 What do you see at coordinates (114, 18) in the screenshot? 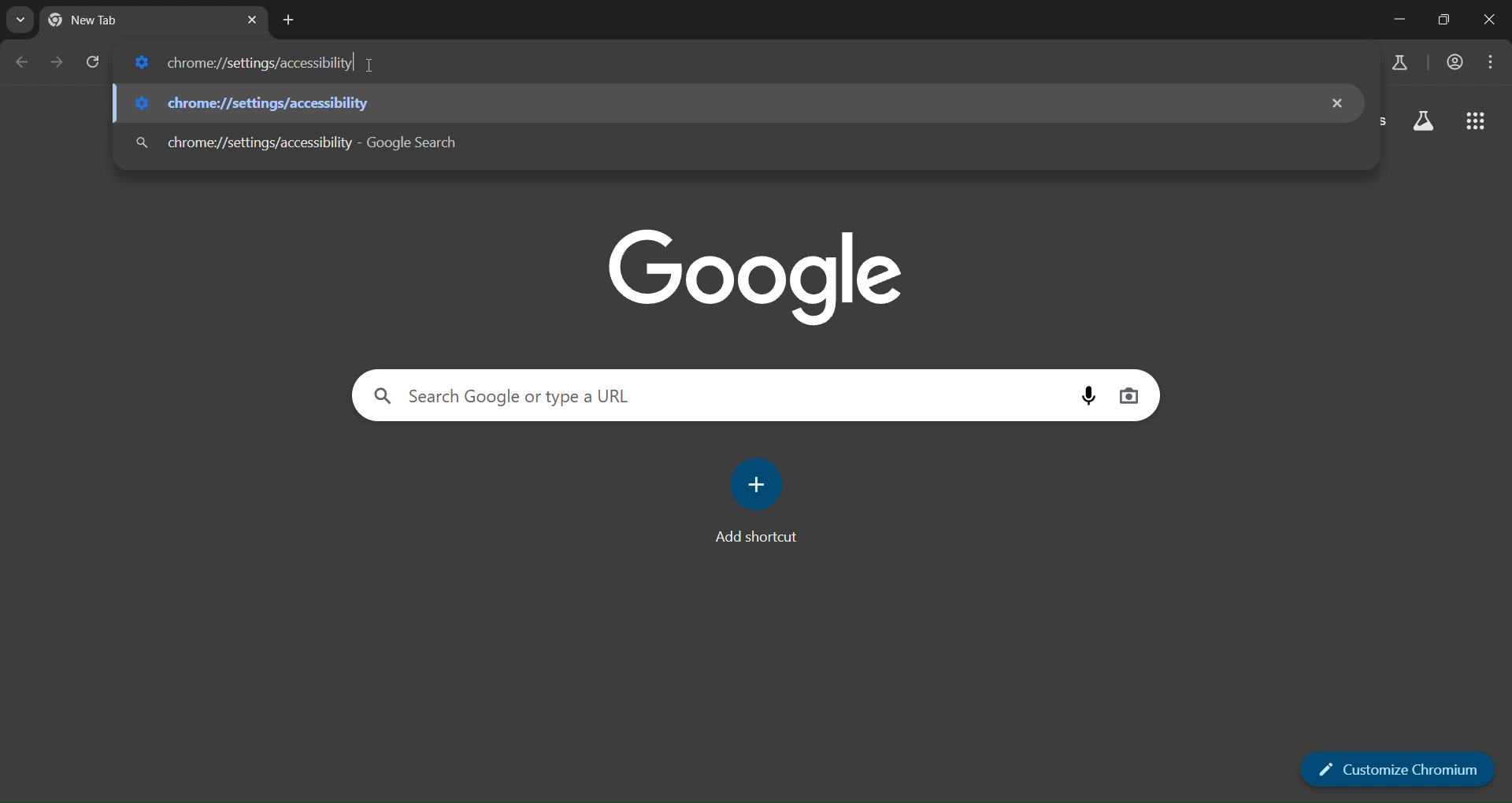
I see `New Tab` at bounding box center [114, 18].